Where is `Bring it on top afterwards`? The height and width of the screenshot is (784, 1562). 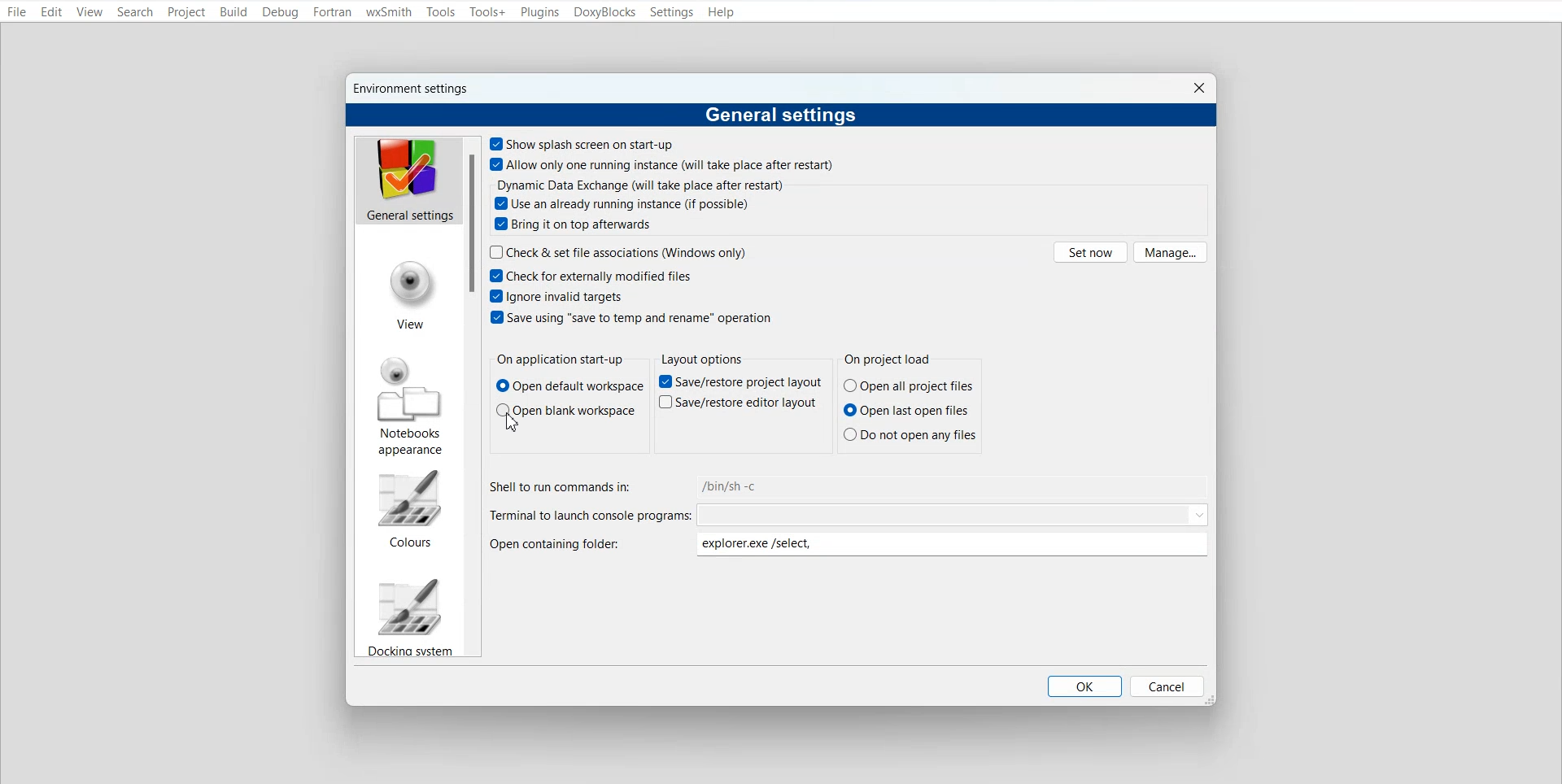
Bring it on top afterwards is located at coordinates (574, 224).